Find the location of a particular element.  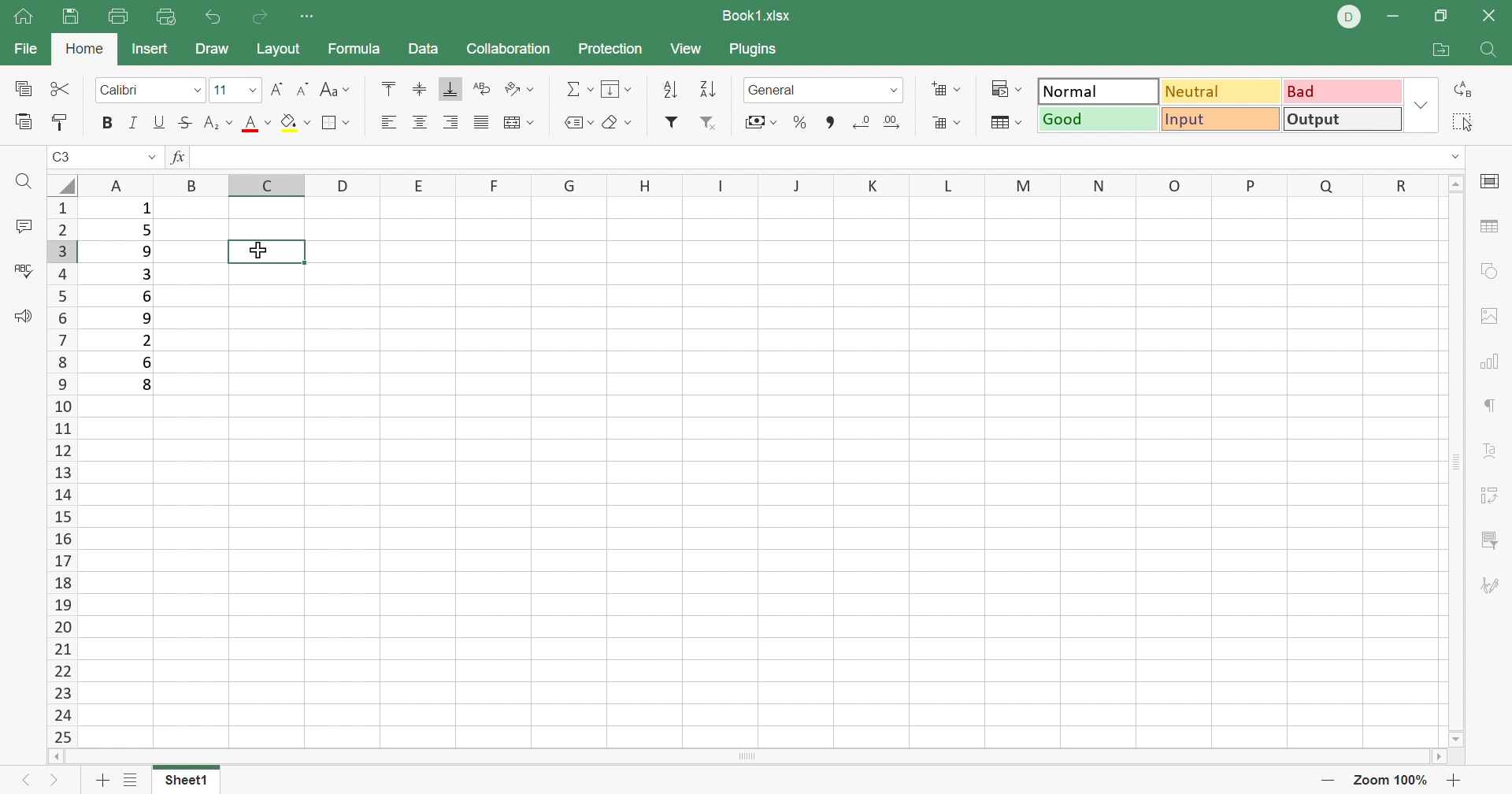

Strikethrough is located at coordinates (186, 122).